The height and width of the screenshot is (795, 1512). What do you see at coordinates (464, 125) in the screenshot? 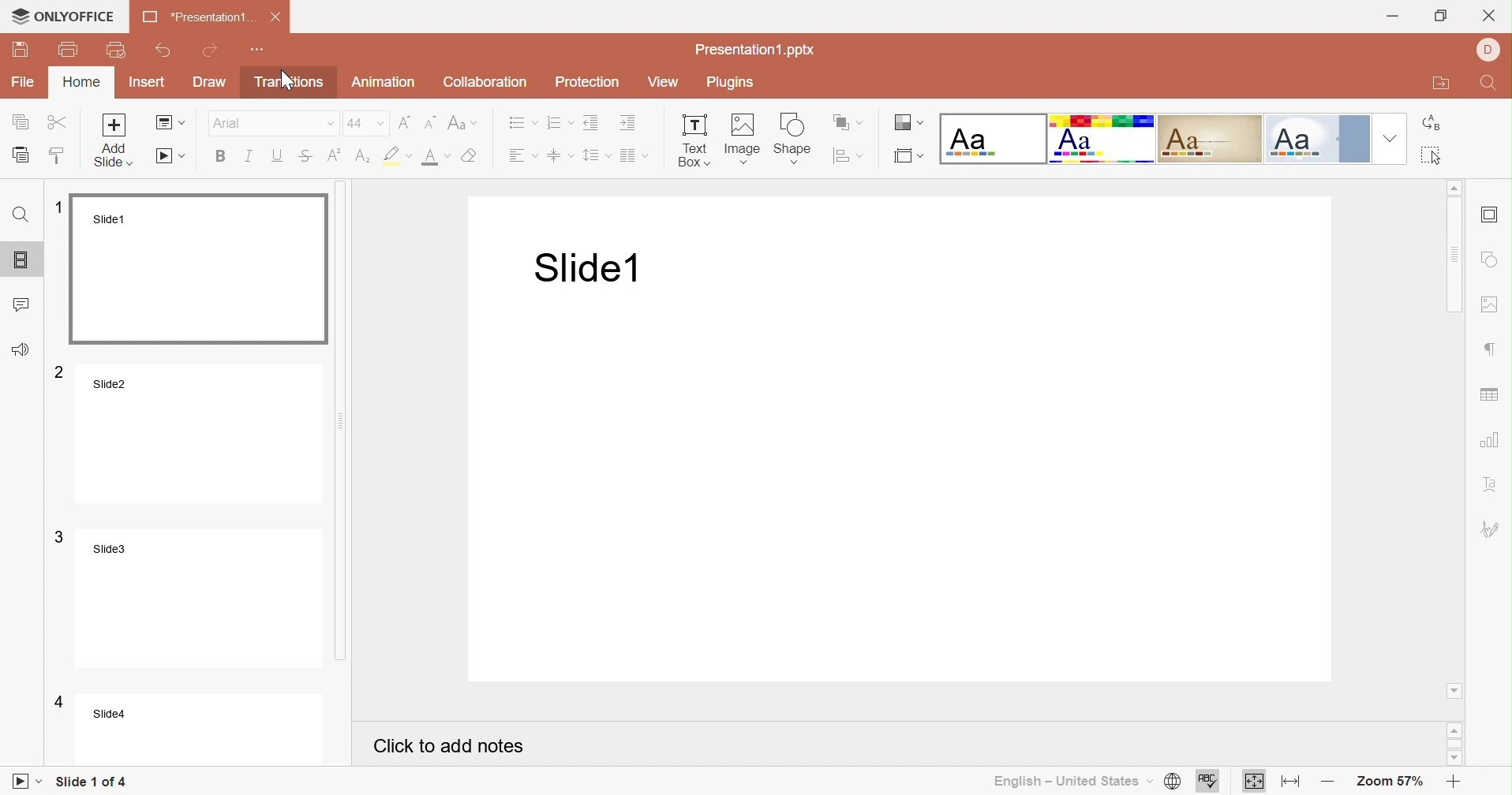
I see `Change case` at bounding box center [464, 125].